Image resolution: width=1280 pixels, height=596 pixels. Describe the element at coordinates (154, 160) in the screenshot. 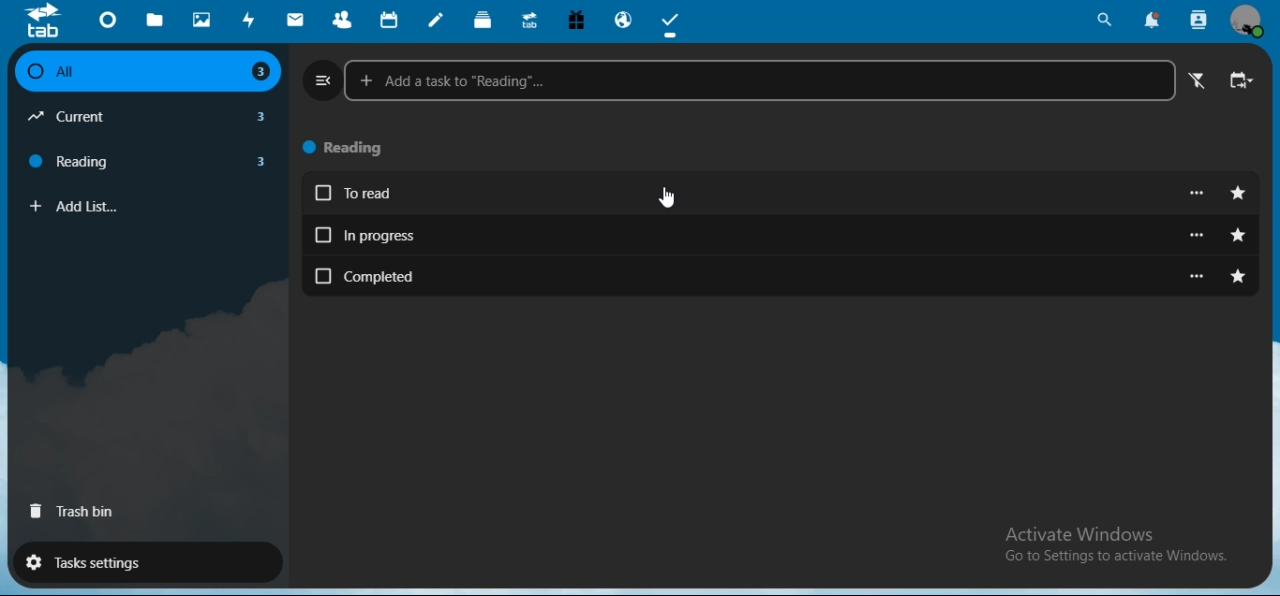

I see `reading` at that location.